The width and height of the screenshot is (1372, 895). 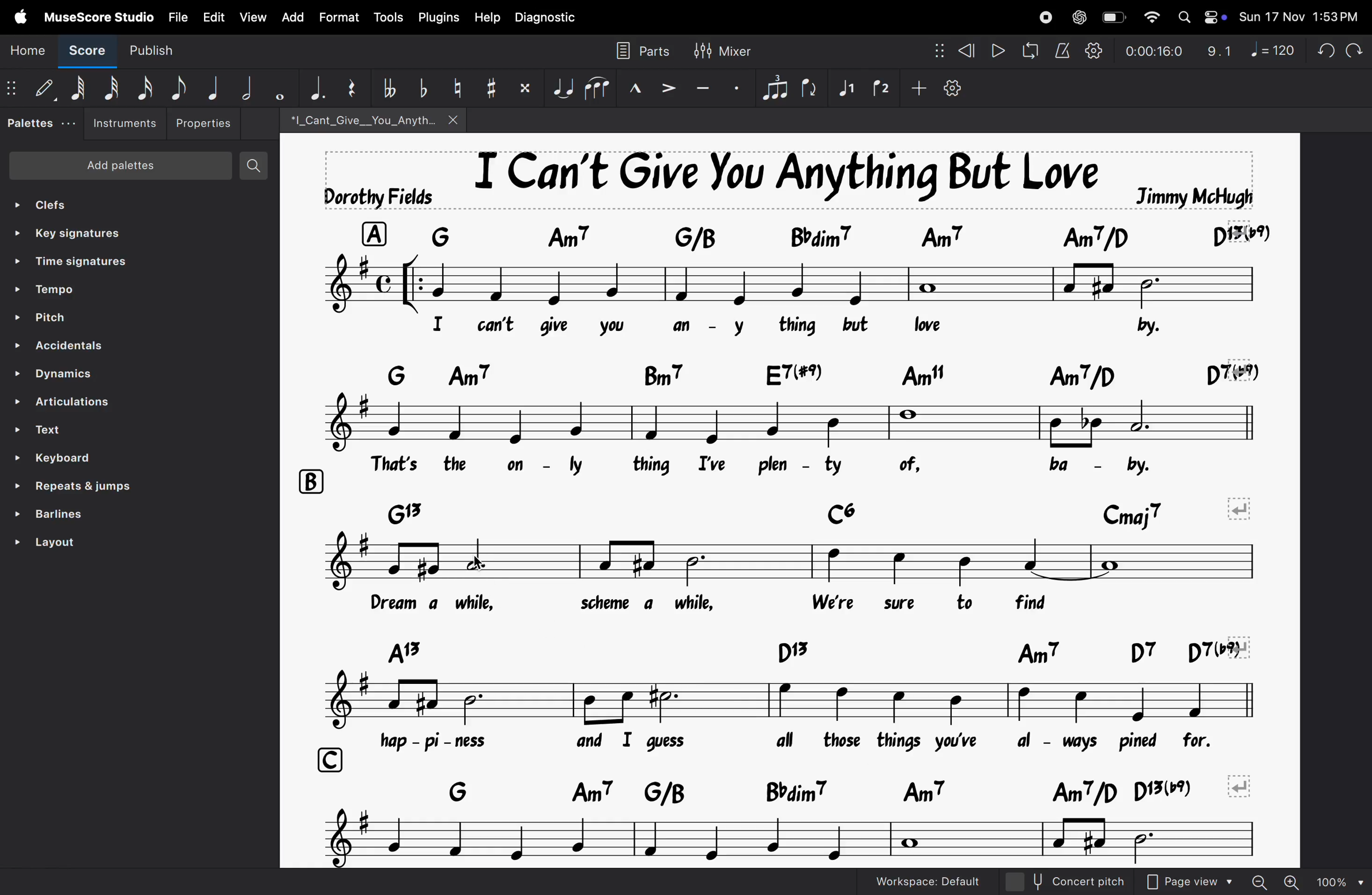 What do you see at coordinates (705, 85) in the screenshot?
I see `tenuto` at bounding box center [705, 85].